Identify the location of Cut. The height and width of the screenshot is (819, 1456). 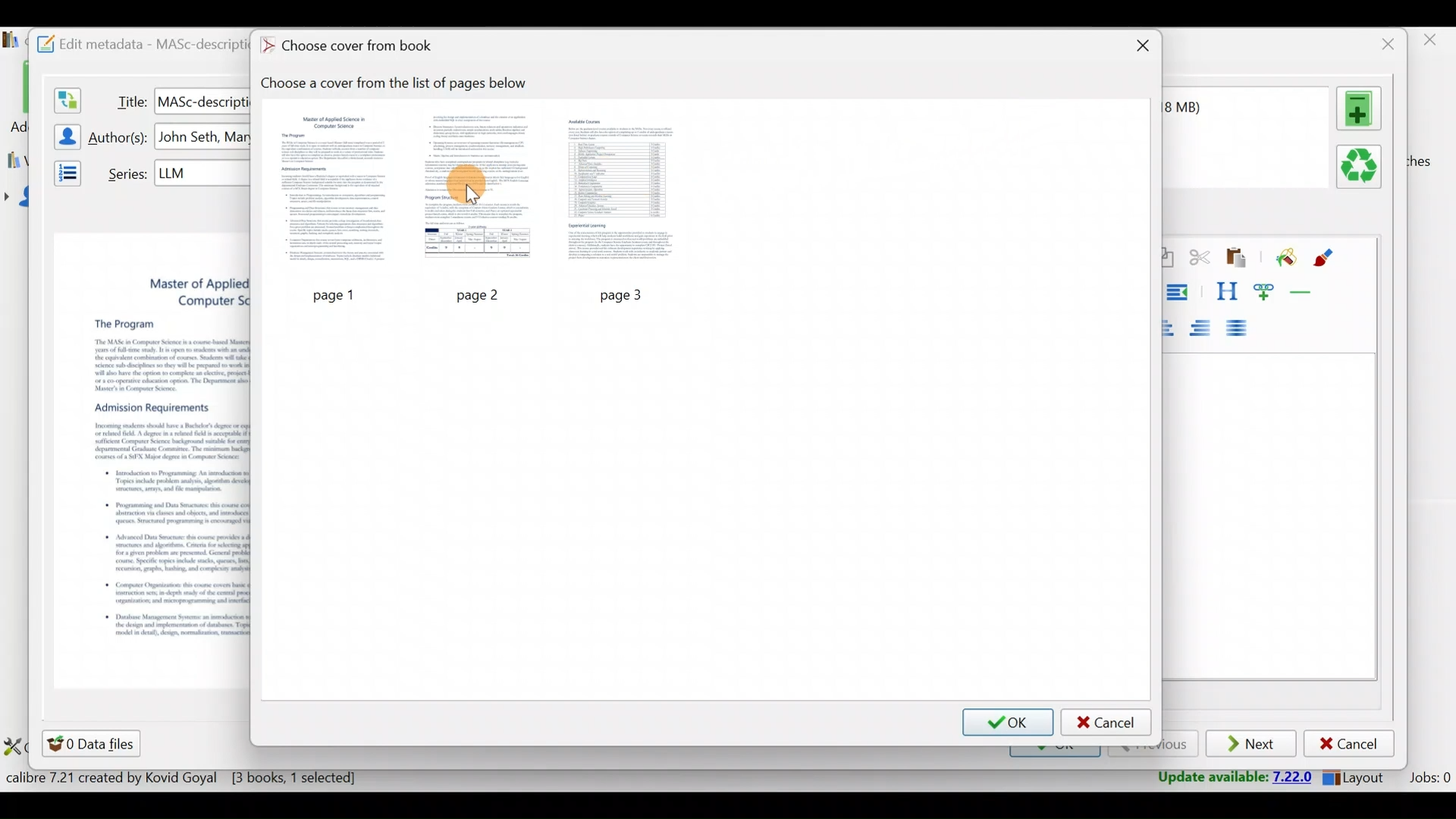
(1200, 260).